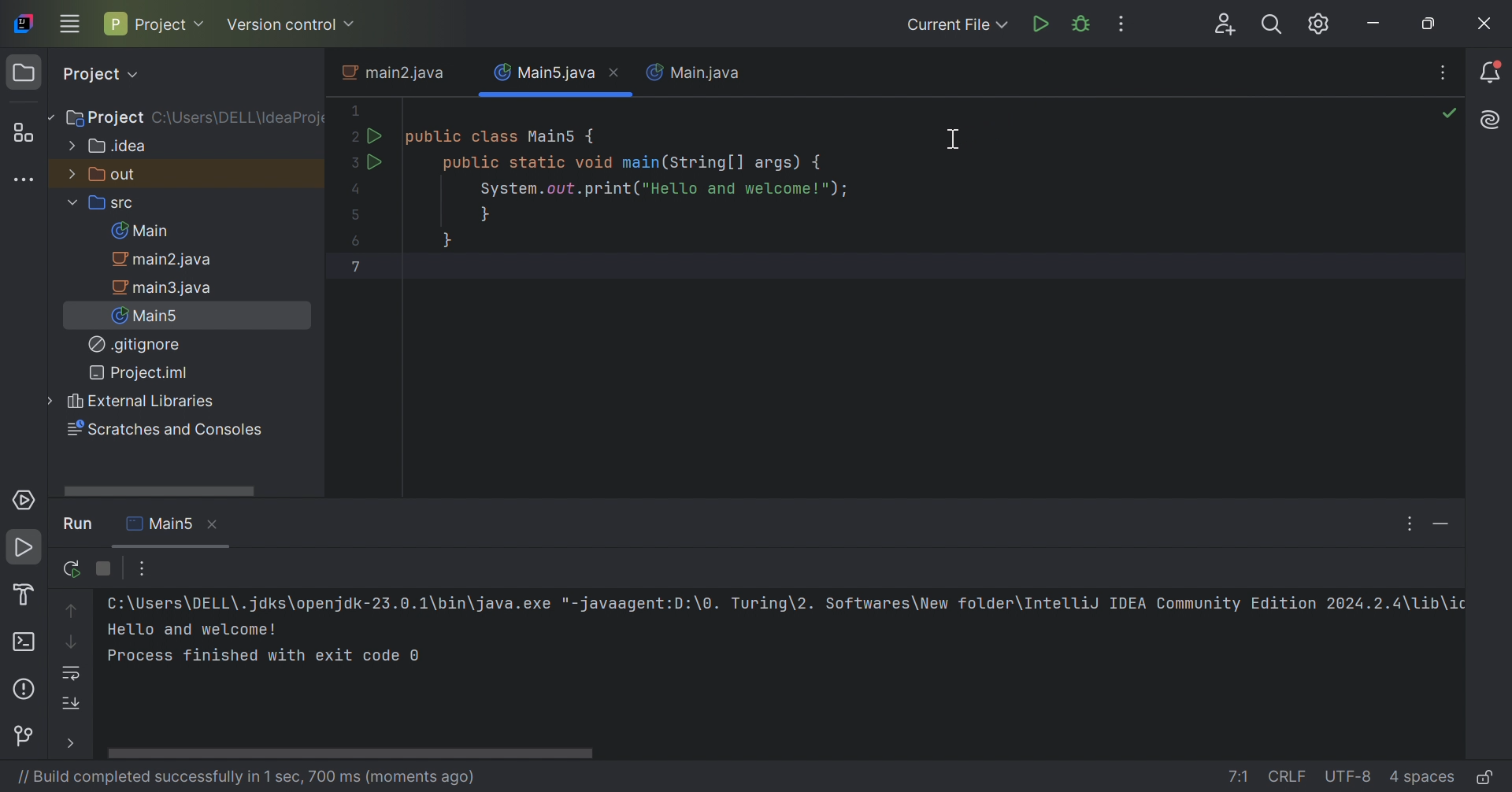 This screenshot has width=1512, height=792. Describe the element at coordinates (24, 131) in the screenshot. I see `Structure` at that location.